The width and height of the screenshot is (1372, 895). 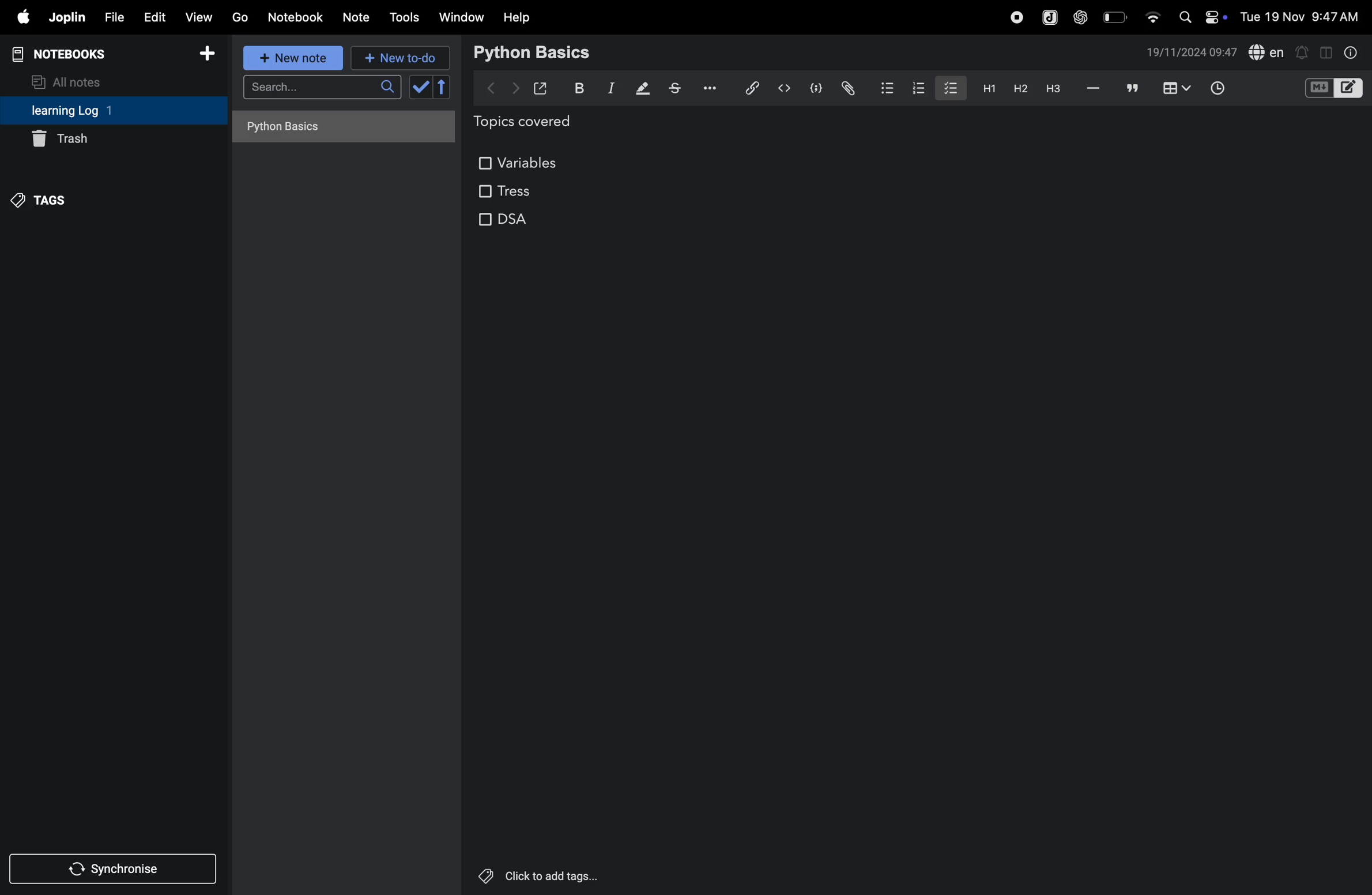 I want to click on attach file, so click(x=847, y=88).